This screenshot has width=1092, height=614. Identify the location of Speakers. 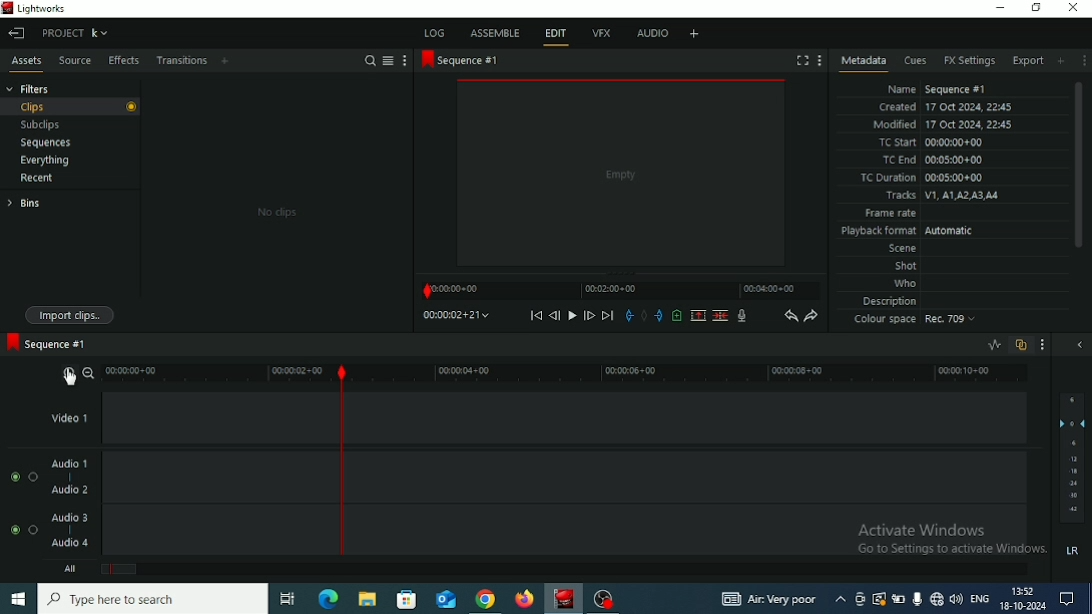
(956, 598).